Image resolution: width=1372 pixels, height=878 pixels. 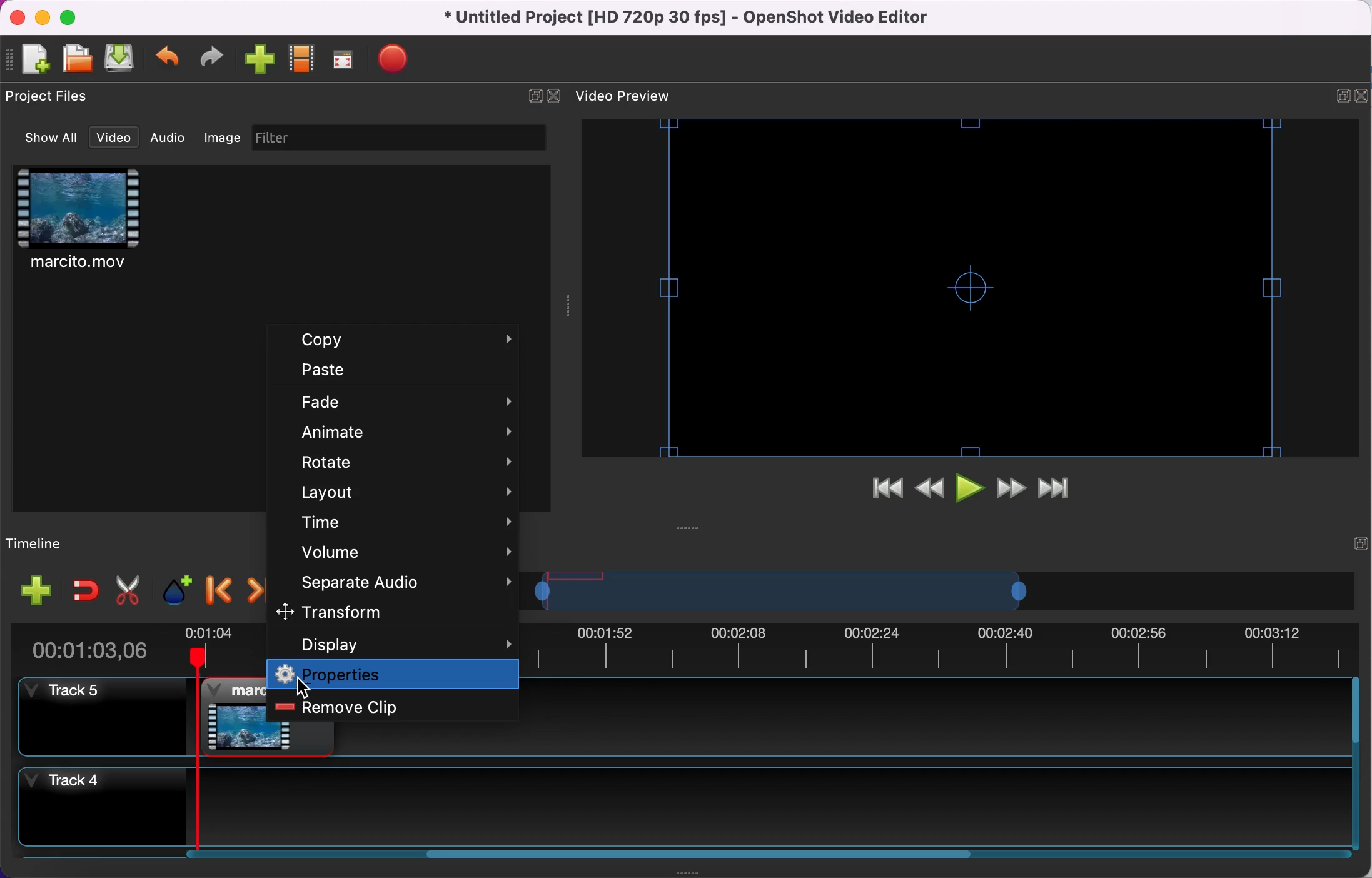 I want to click on paste, so click(x=393, y=373).